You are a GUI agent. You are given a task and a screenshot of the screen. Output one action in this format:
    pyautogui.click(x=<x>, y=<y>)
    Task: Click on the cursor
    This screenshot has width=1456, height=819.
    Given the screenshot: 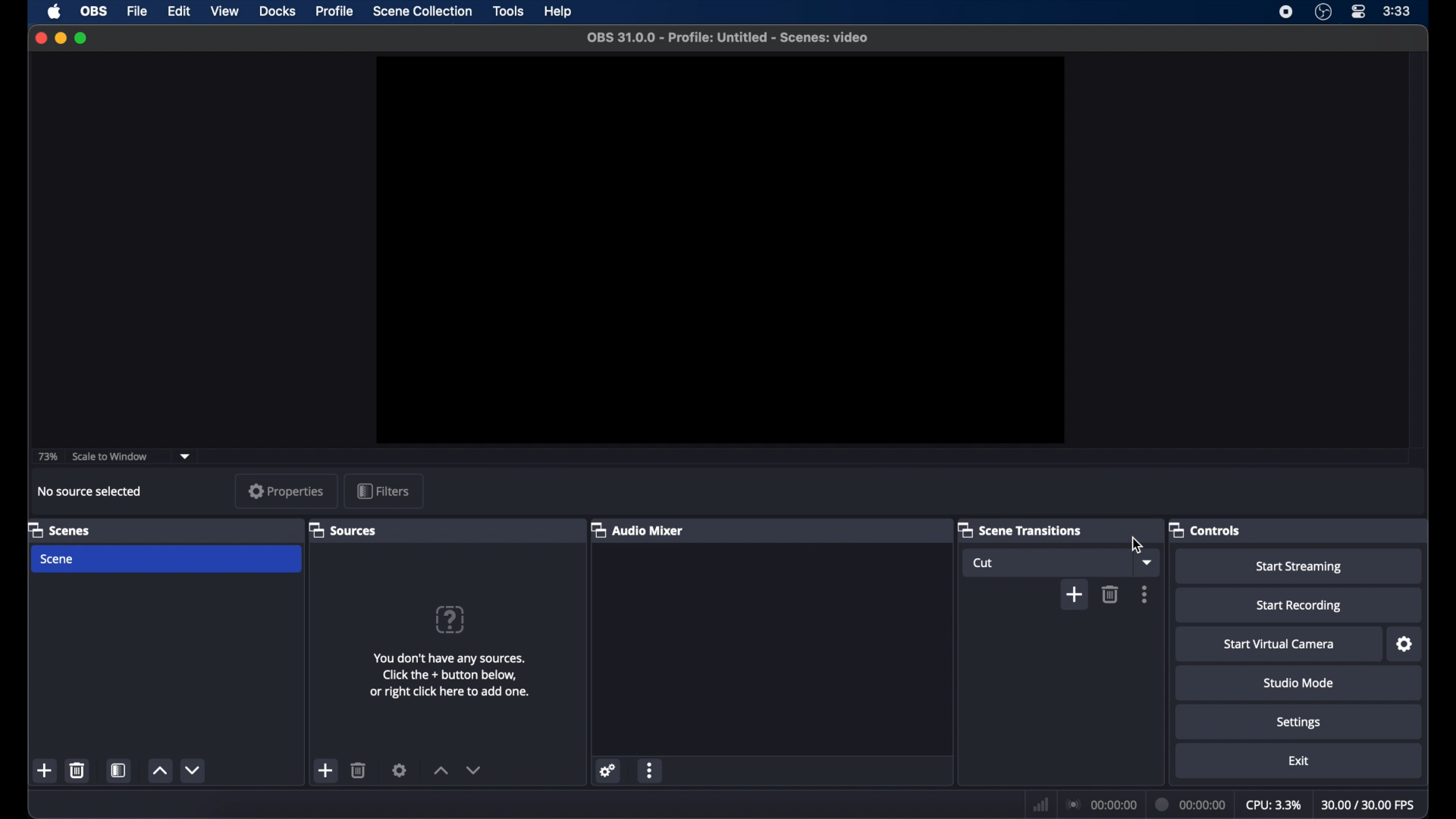 What is the action you would take?
    pyautogui.click(x=1137, y=542)
    